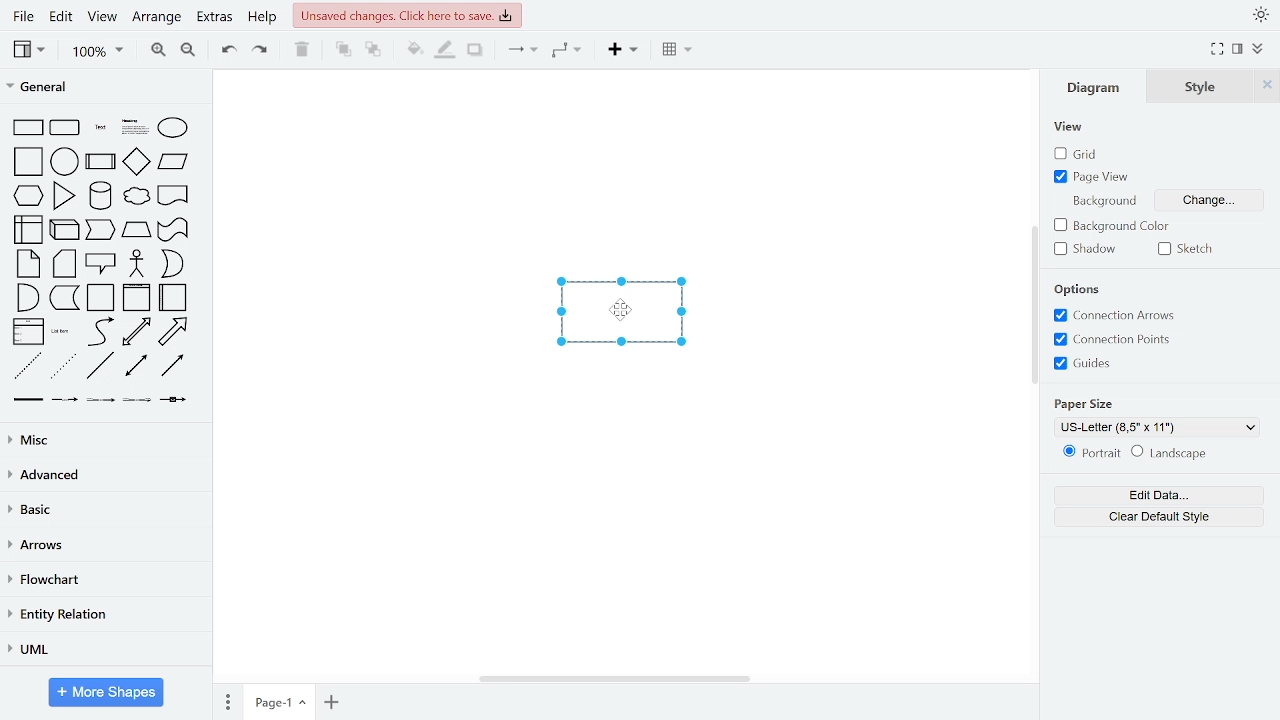 This screenshot has width=1280, height=720. I want to click on general shapes, so click(135, 331).